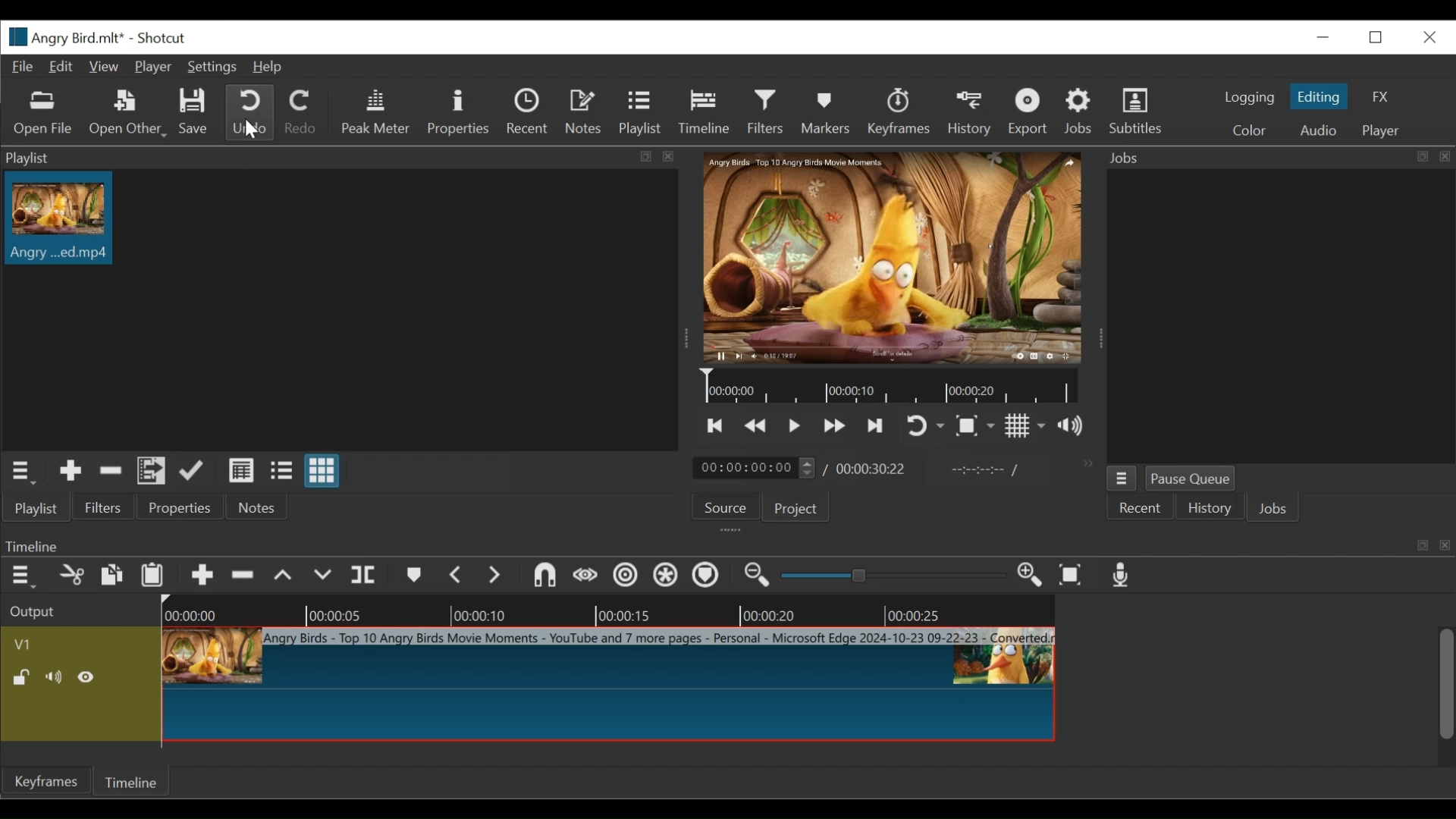 The width and height of the screenshot is (1456, 819). I want to click on Skip to the next point, so click(877, 425).